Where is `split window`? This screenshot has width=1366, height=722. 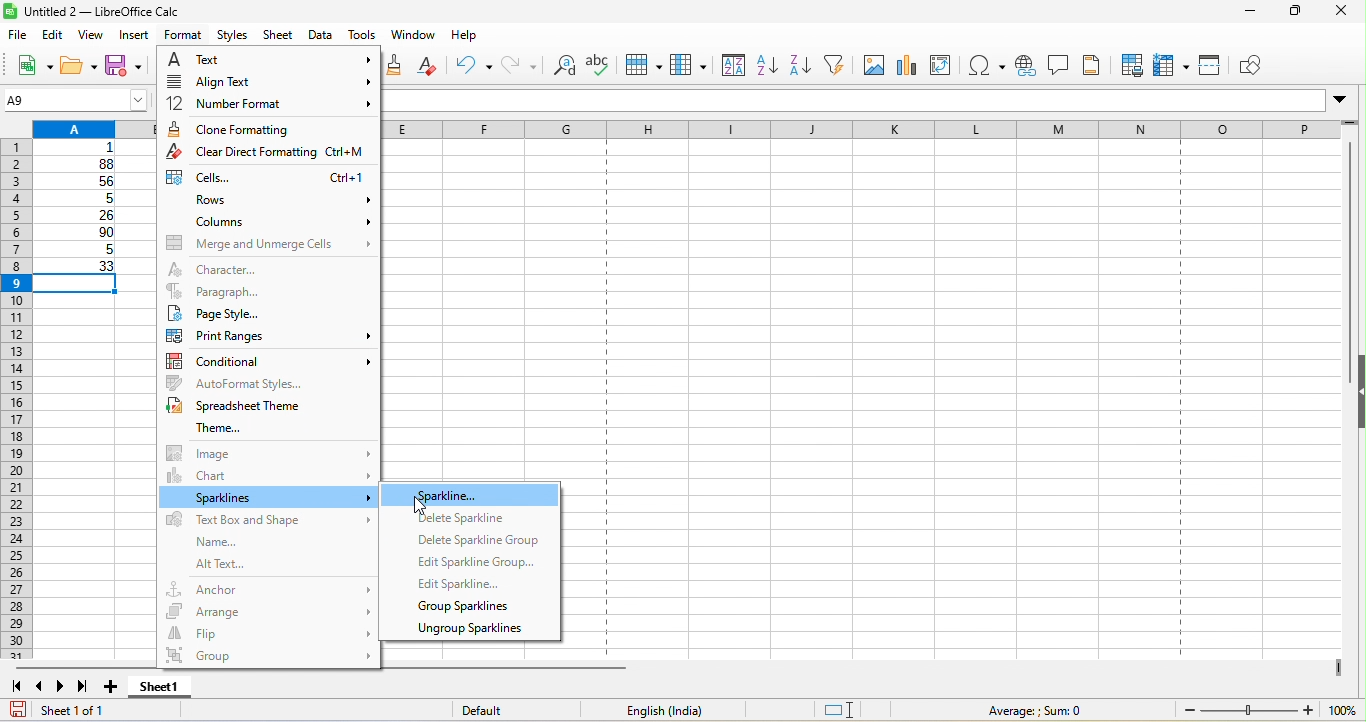
split window is located at coordinates (1210, 66).